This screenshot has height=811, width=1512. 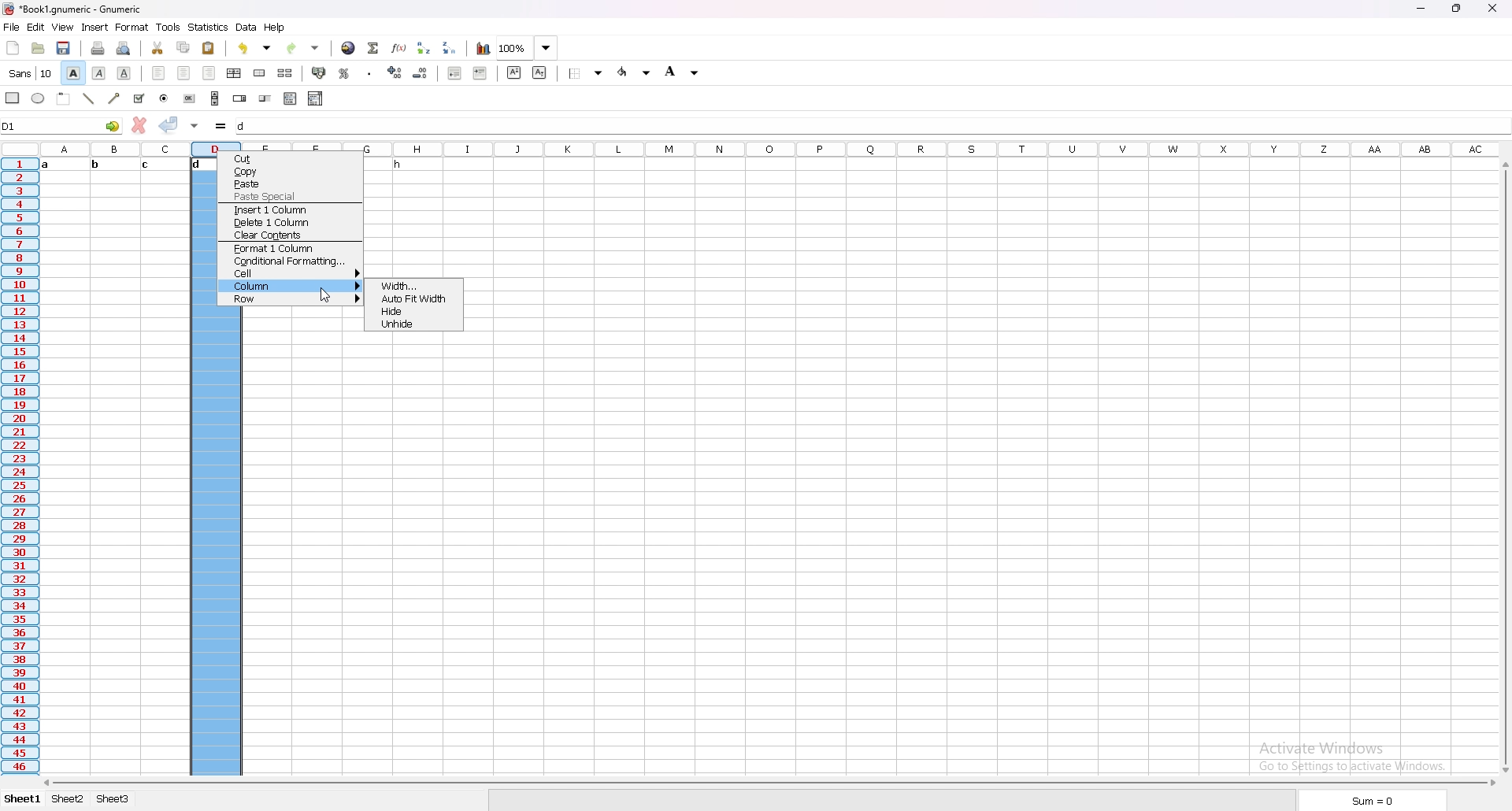 I want to click on insert, so click(x=95, y=27).